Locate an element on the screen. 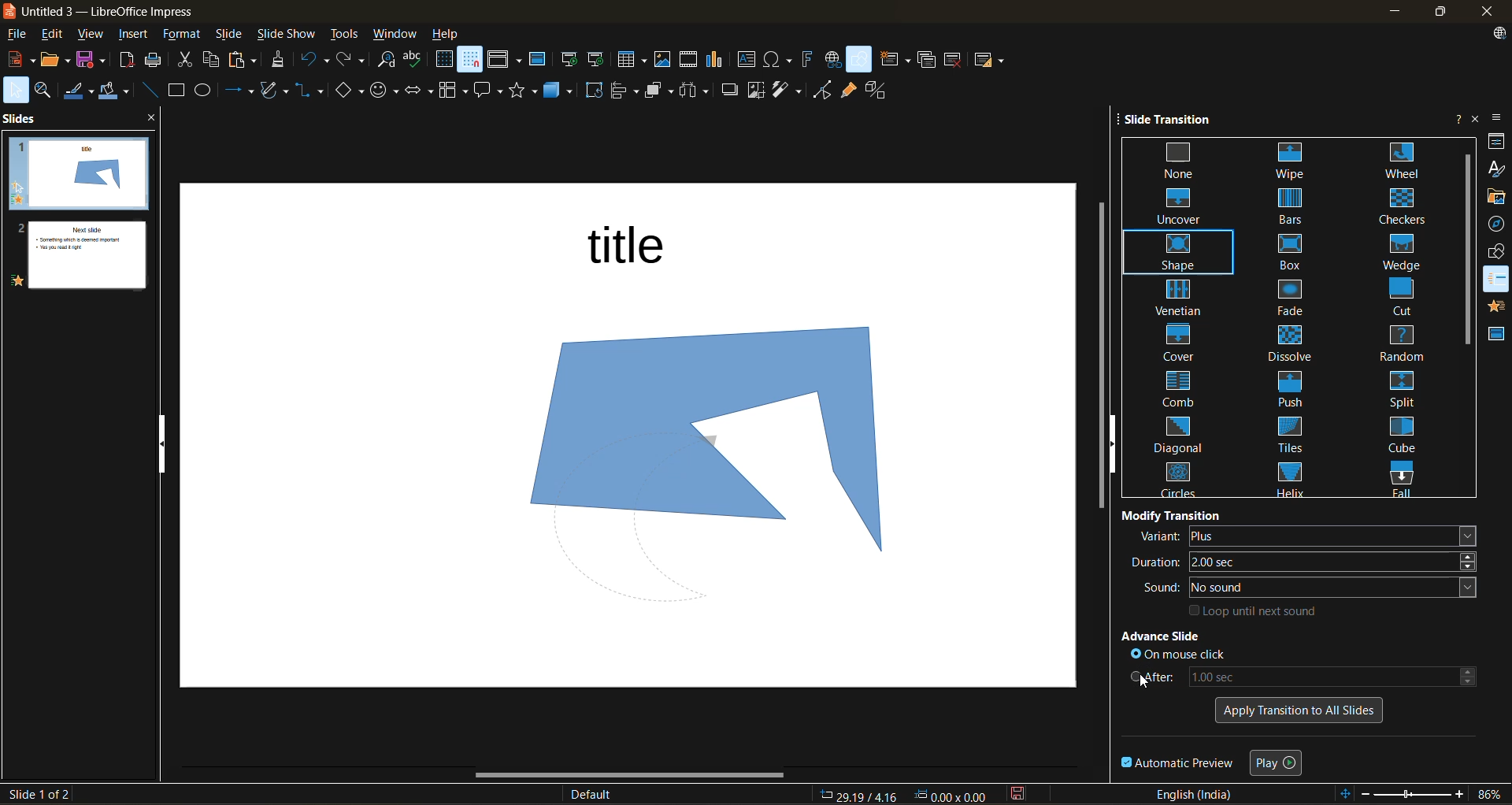  curves and polygons is located at coordinates (274, 91).